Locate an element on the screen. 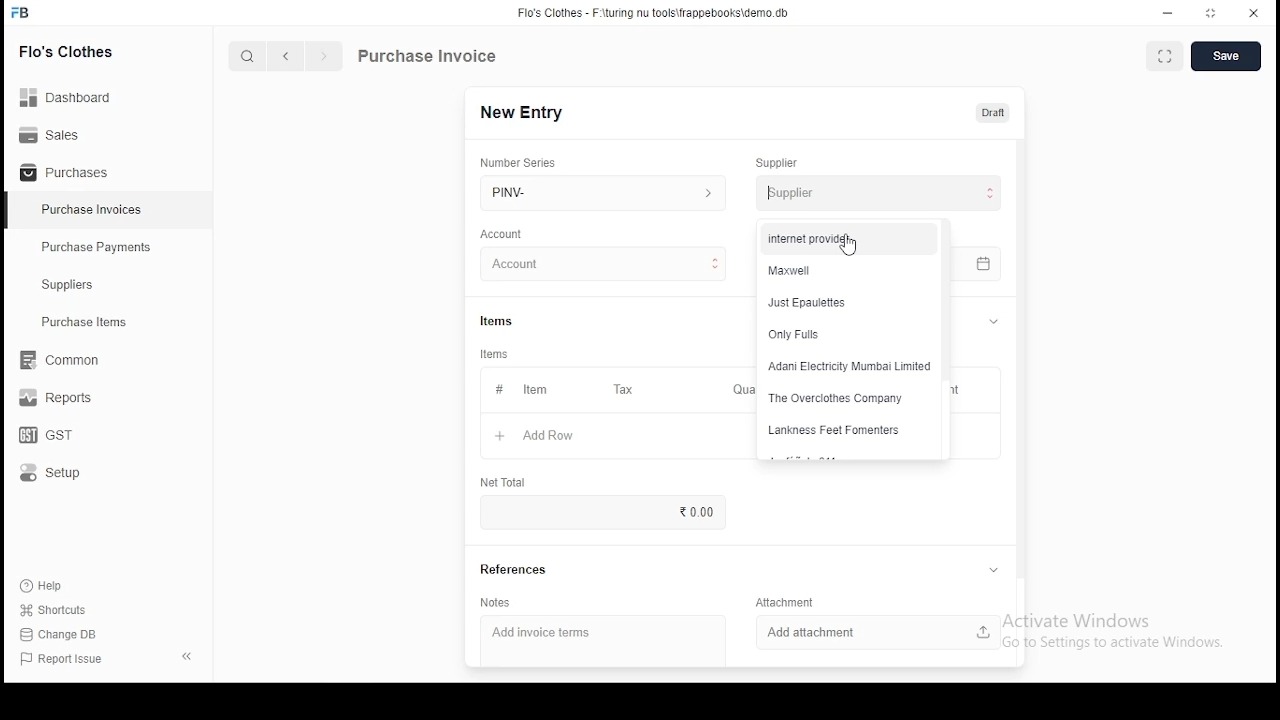  Shortcuts is located at coordinates (61, 610).